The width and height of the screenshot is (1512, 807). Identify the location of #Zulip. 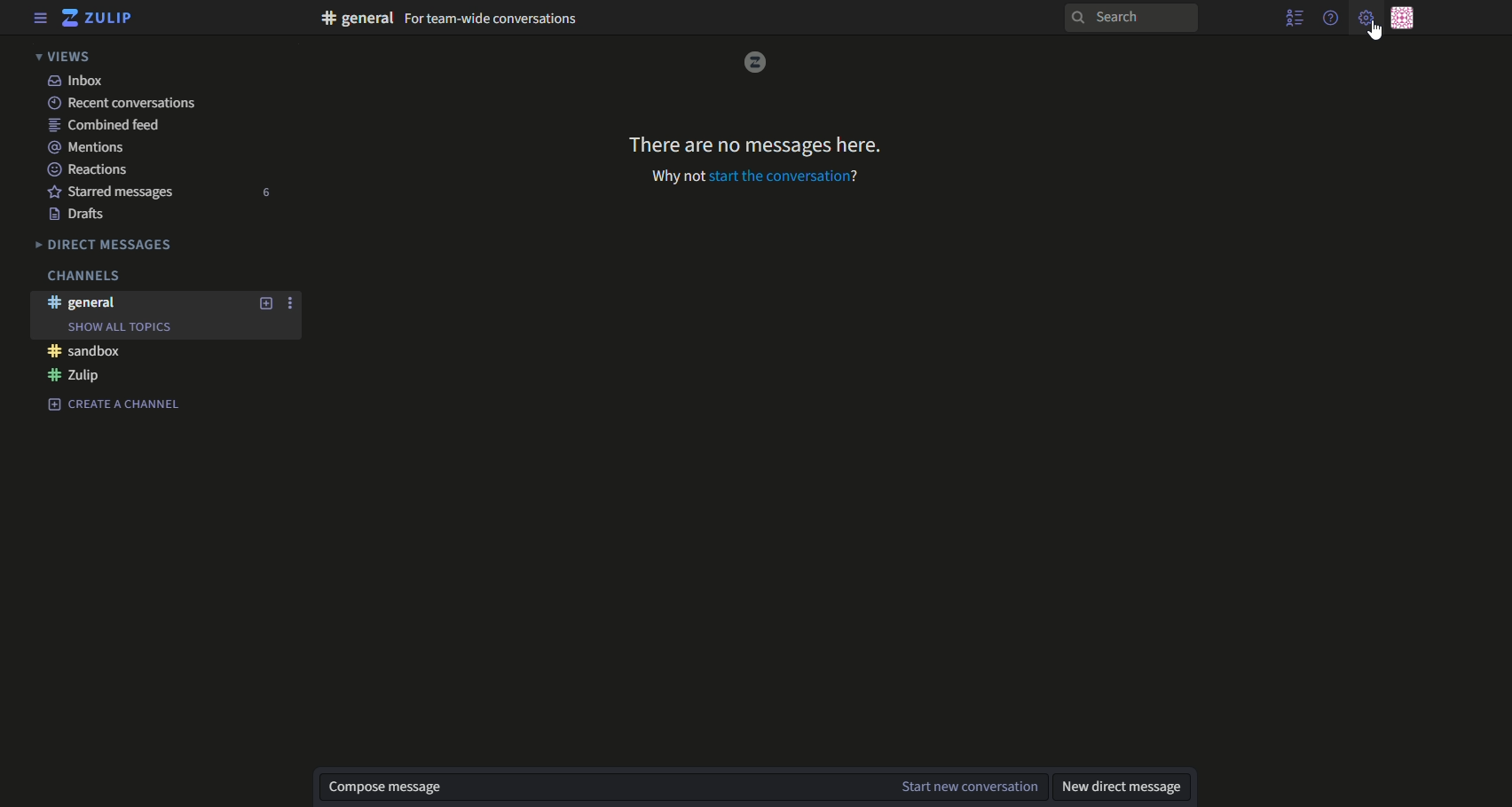
(75, 375).